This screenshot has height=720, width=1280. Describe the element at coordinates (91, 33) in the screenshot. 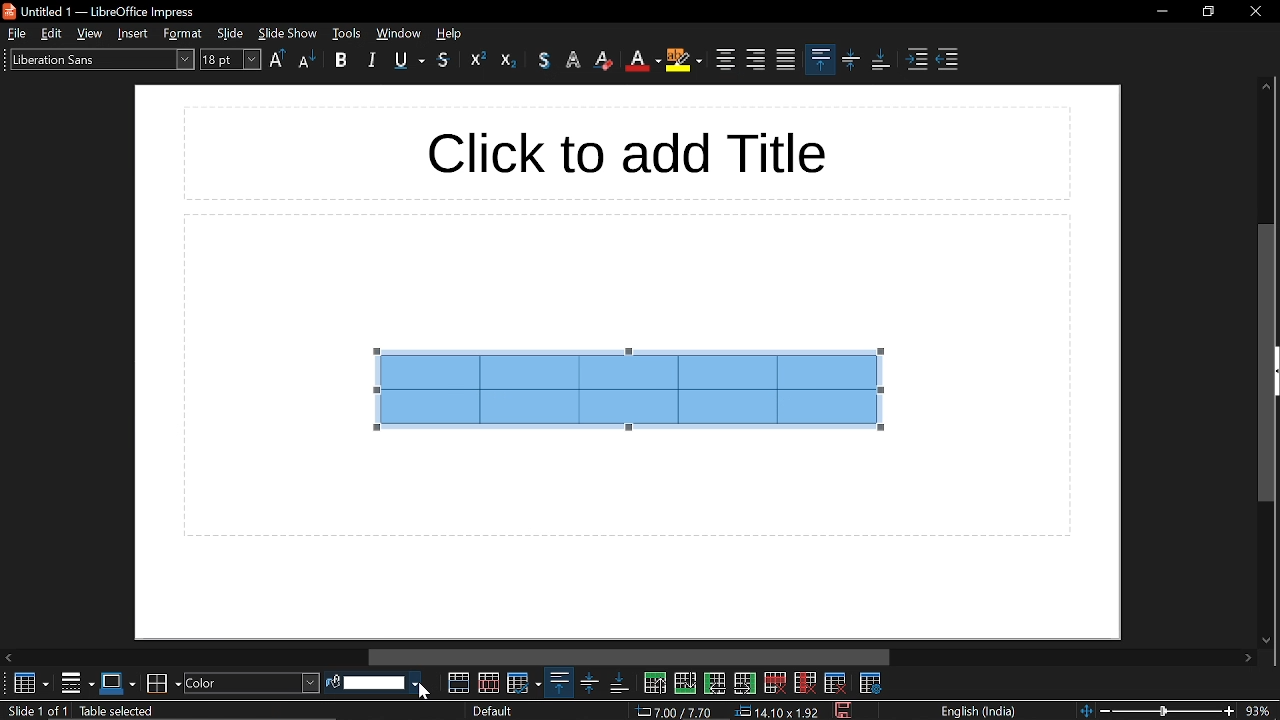

I see `view` at that location.